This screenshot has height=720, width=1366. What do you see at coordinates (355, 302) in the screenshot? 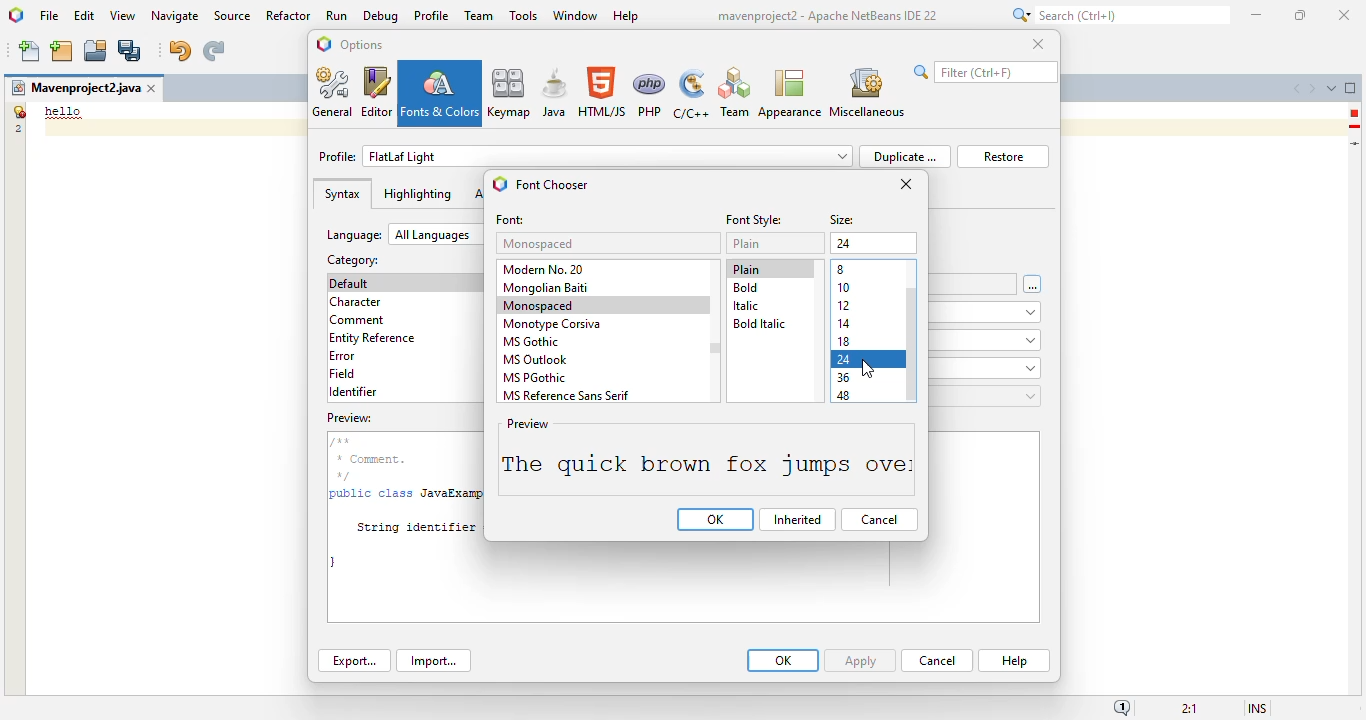
I see `character` at bounding box center [355, 302].